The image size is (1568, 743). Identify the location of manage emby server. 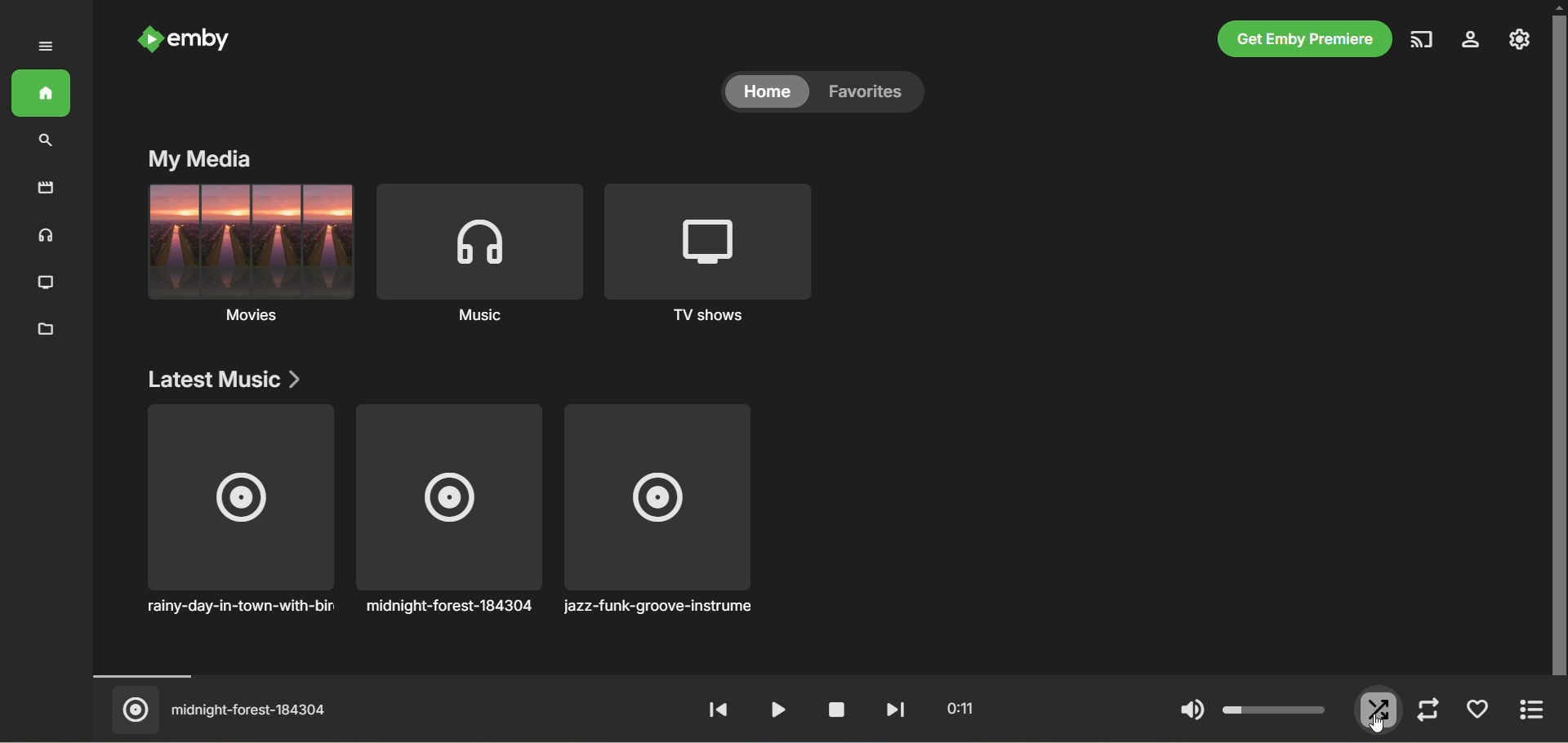
(1520, 39).